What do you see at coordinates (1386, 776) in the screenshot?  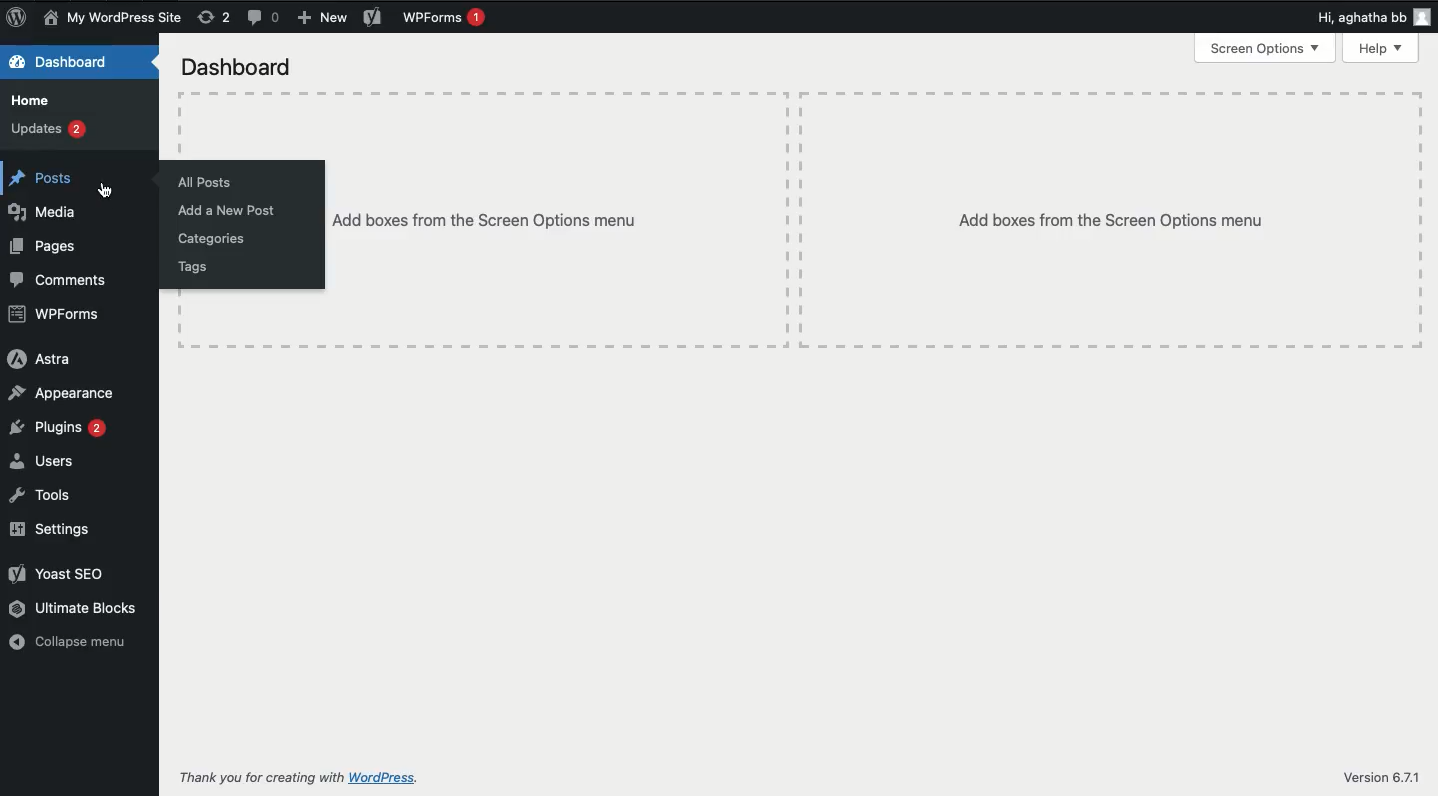 I see `Version 6.7.1` at bounding box center [1386, 776].